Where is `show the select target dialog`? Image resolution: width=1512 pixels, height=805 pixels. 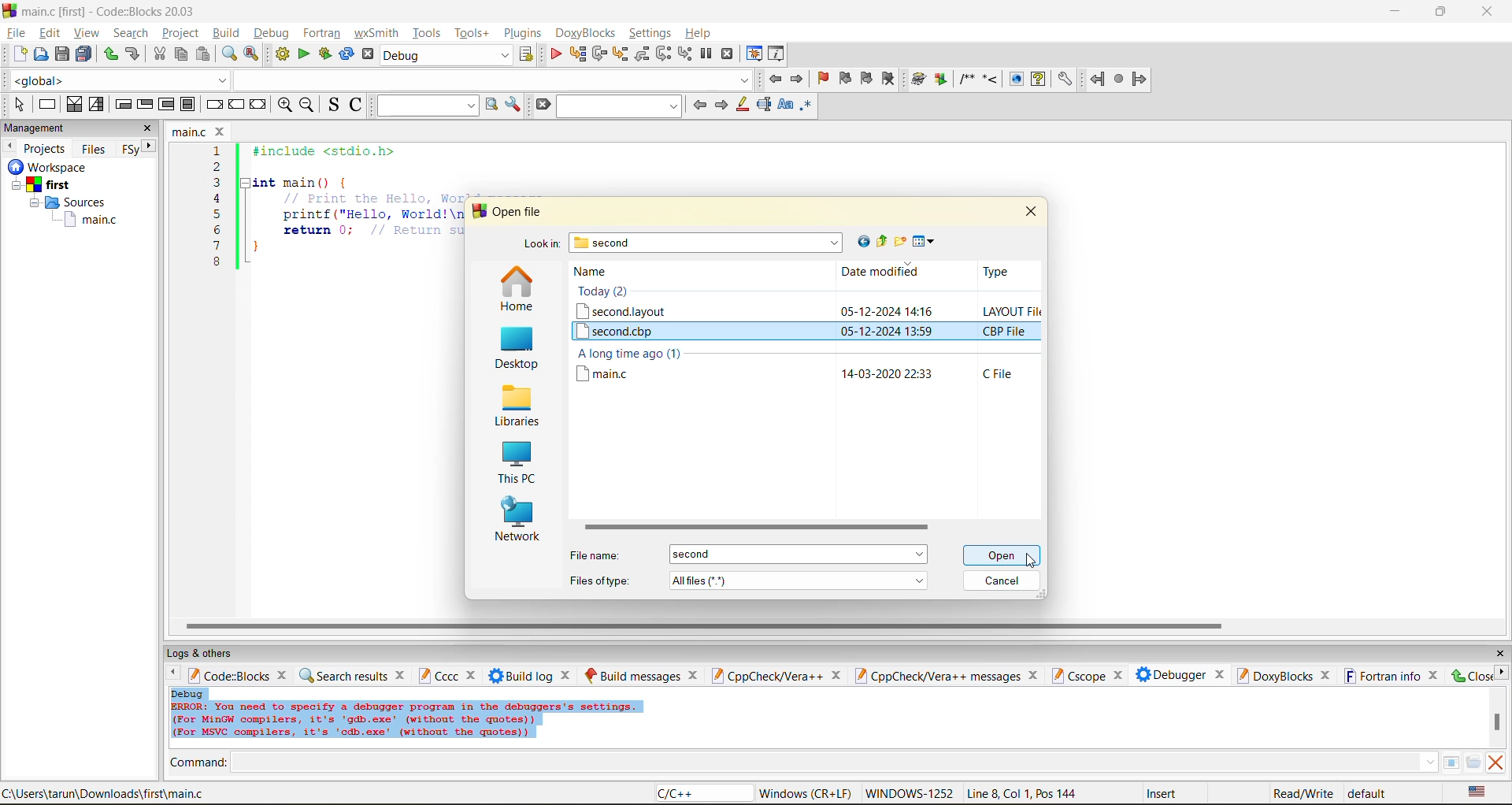 show the select target dialog is located at coordinates (528, 54).